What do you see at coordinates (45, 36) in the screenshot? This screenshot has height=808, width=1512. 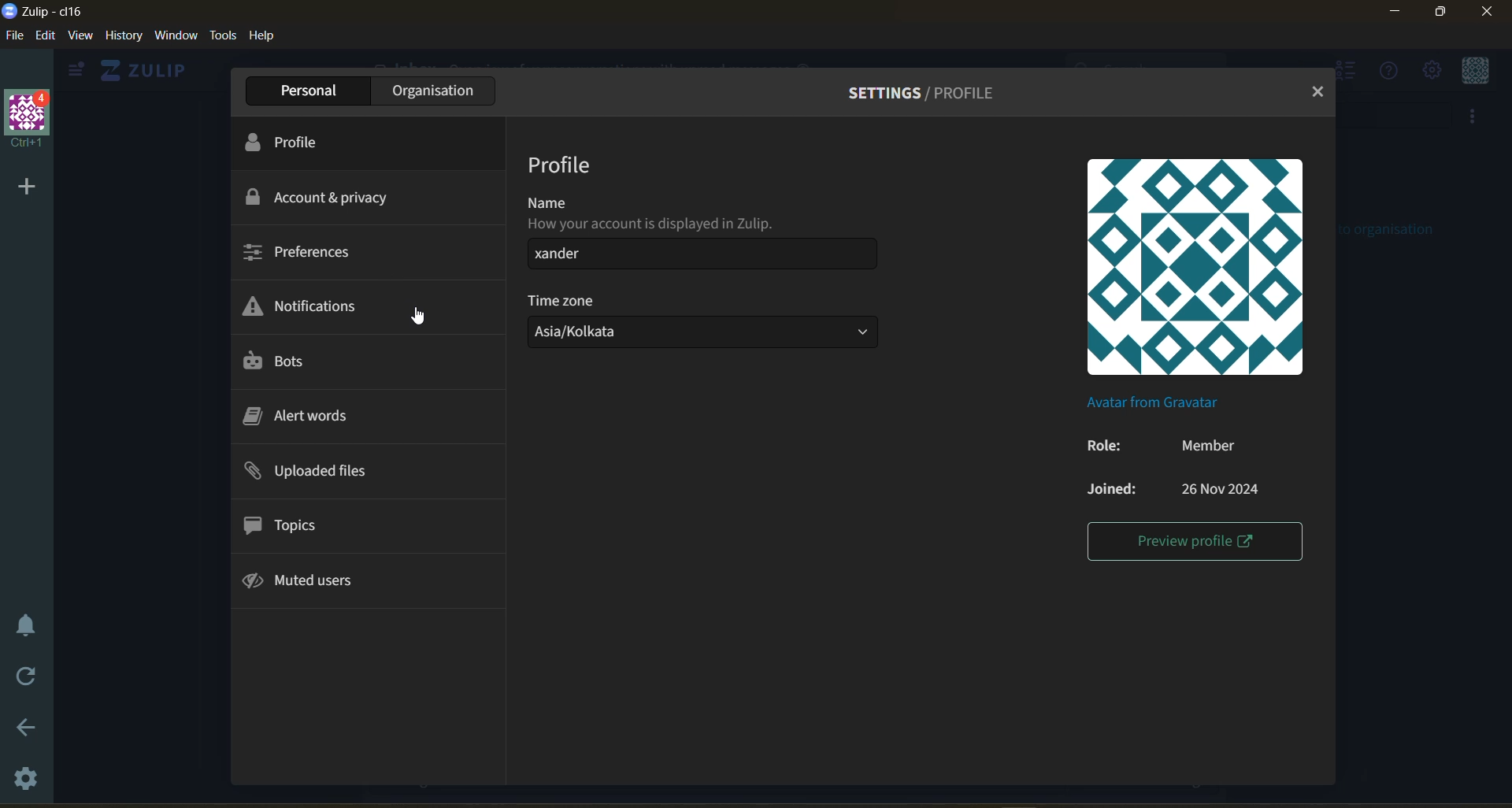 I see `edit` at bounding box center [45, 36].